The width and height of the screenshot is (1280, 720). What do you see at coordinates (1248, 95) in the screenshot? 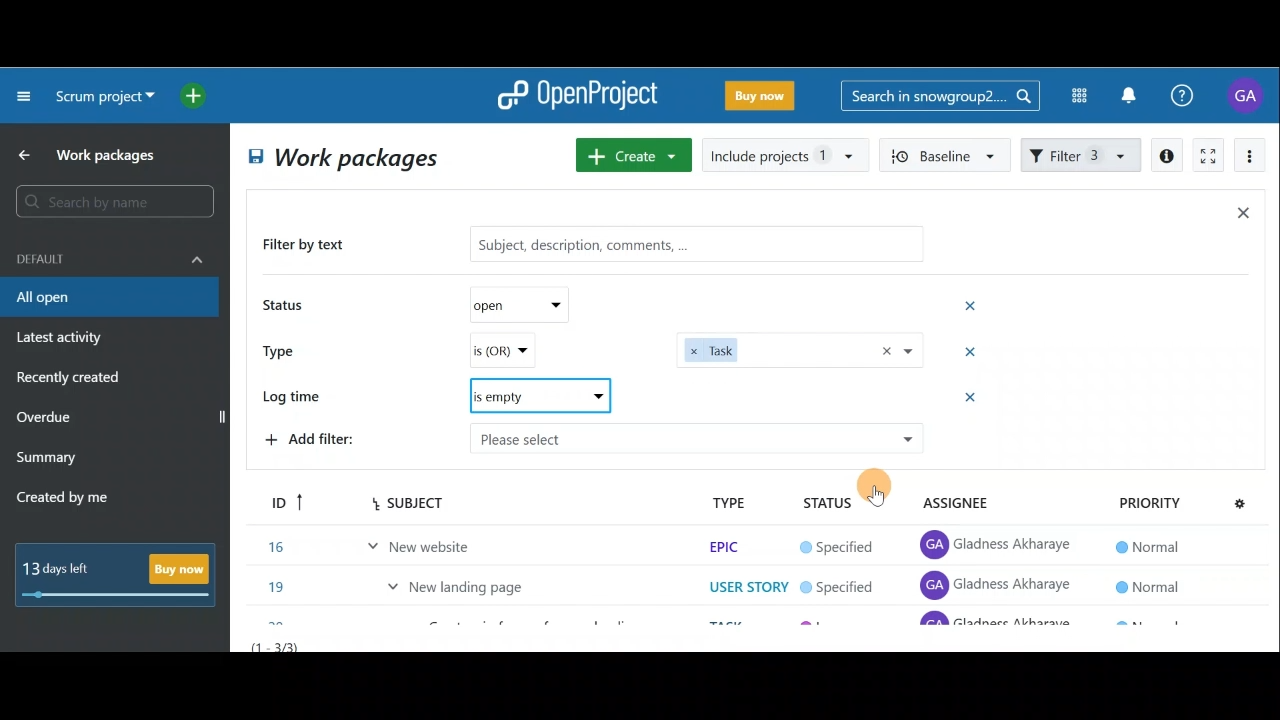
I see `Account name` at bounding box center [1248, 95].